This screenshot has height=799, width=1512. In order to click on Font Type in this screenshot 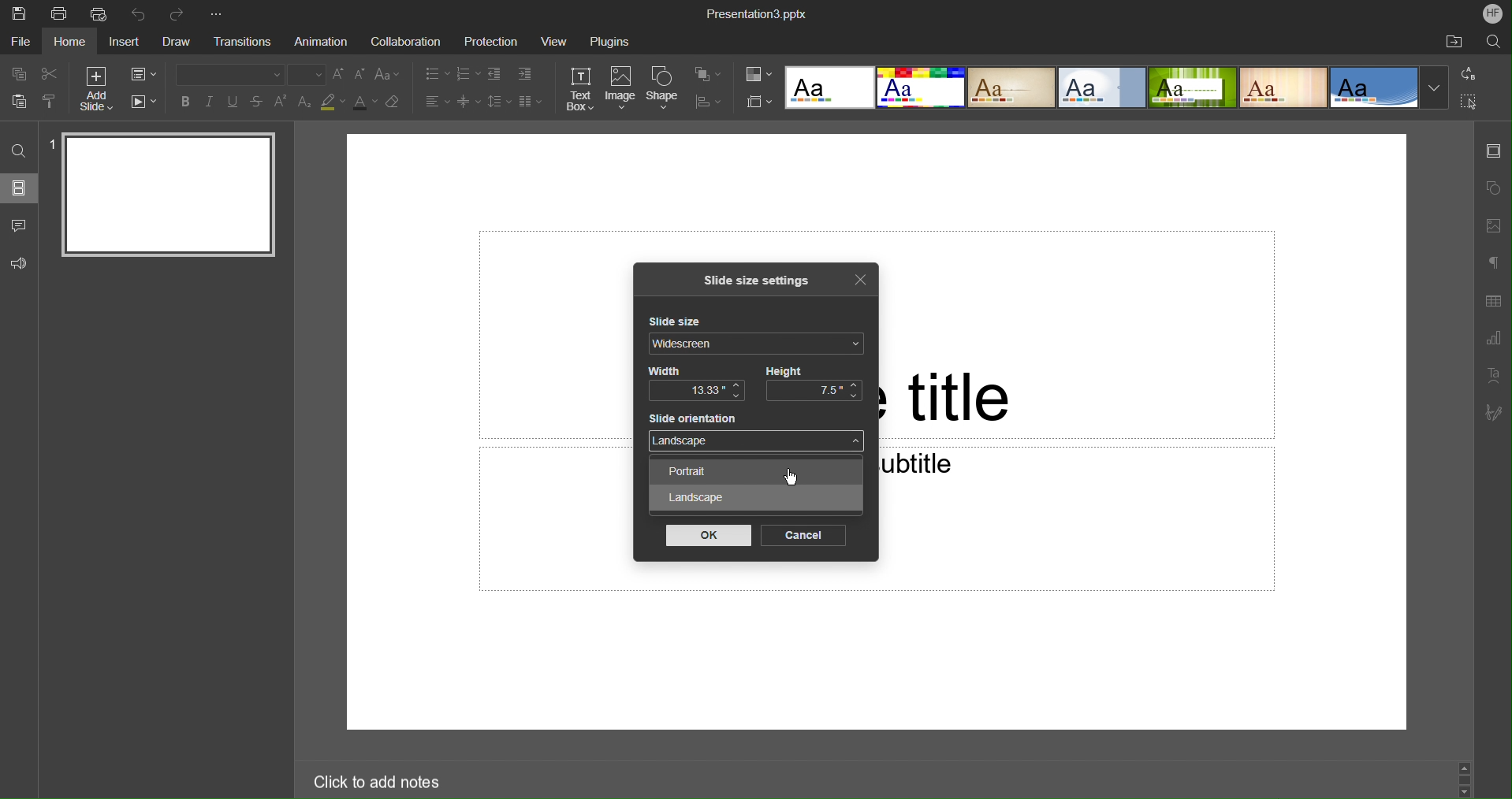, I will do `click(225, 74)`.